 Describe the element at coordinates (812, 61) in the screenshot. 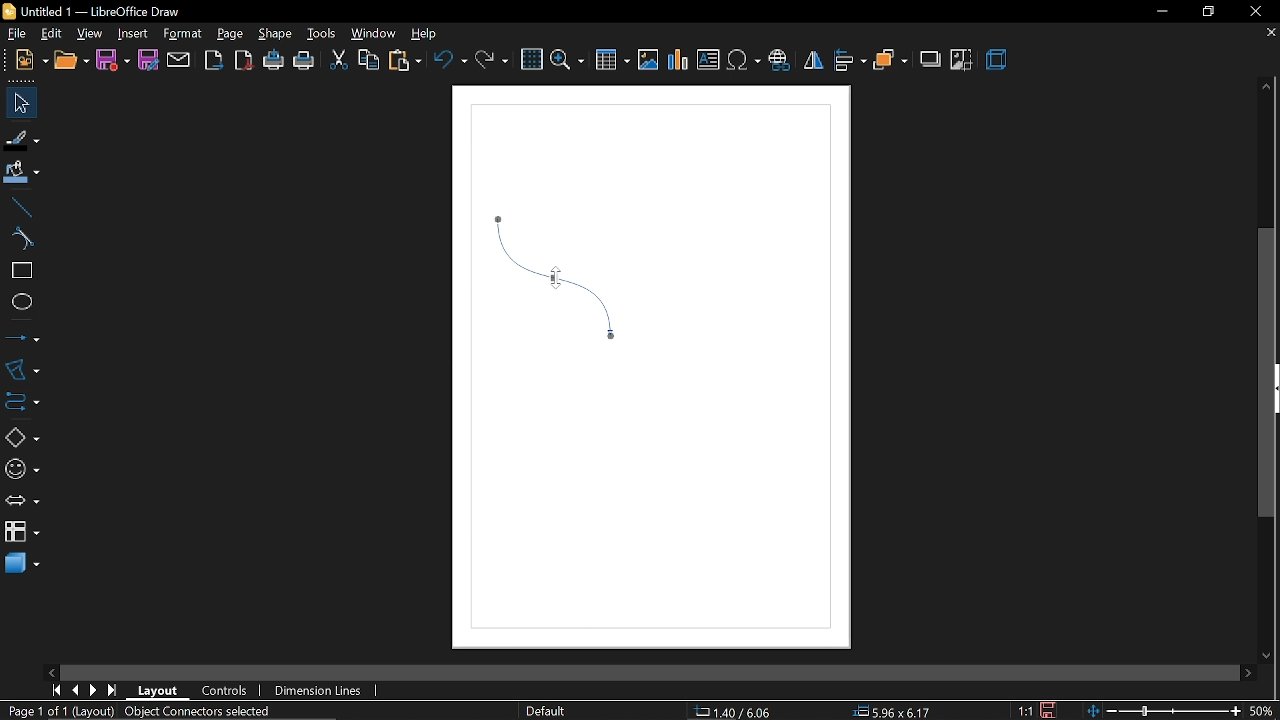

I see `flip` at that location.